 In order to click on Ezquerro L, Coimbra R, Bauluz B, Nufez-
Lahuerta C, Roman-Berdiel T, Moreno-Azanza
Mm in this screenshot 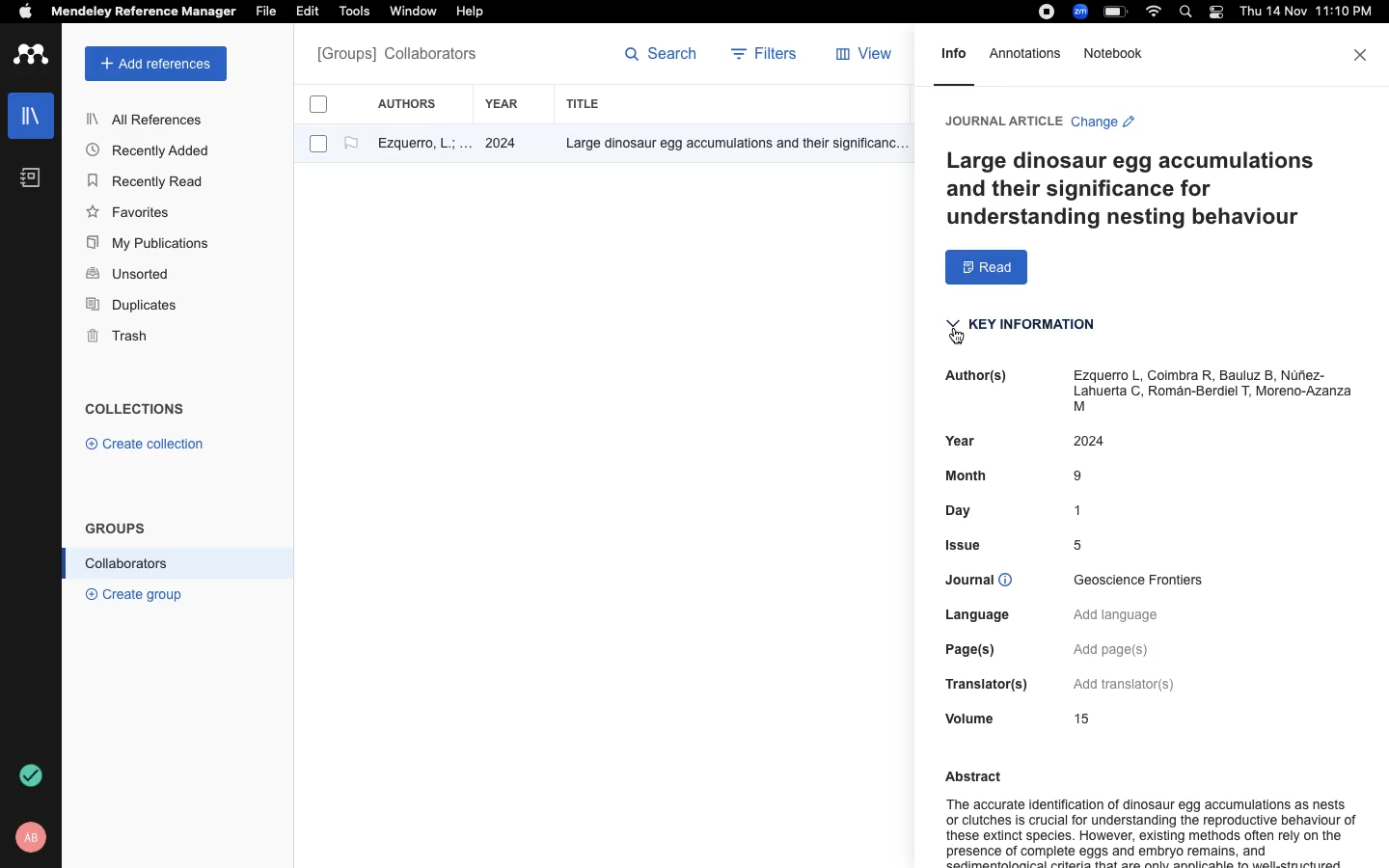, I will do `click(1212, 393)`.